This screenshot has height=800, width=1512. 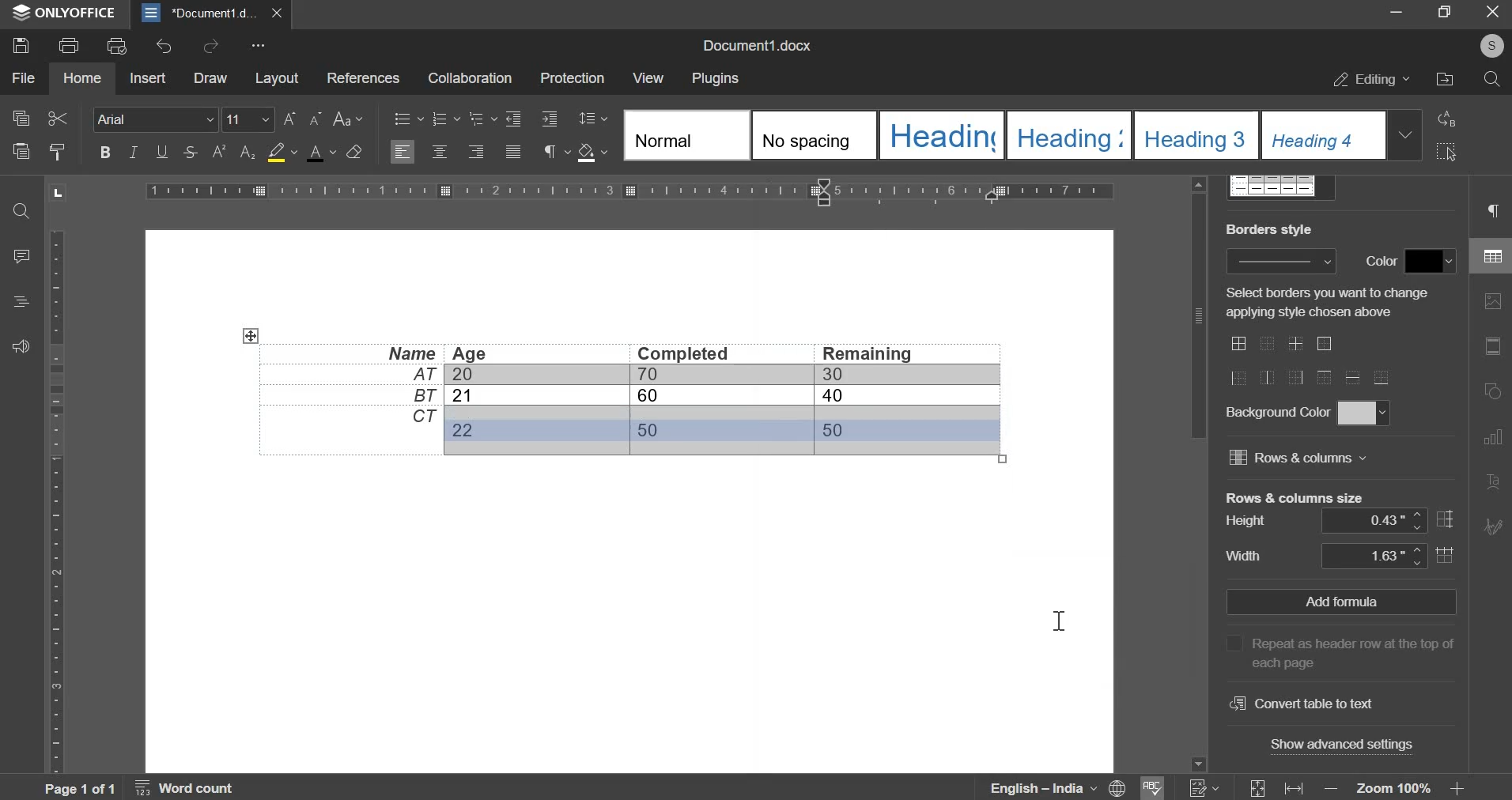 What do you see at coordinates (81, 77) in the screenshot?
I see `home` at bounding box center [81, 77].